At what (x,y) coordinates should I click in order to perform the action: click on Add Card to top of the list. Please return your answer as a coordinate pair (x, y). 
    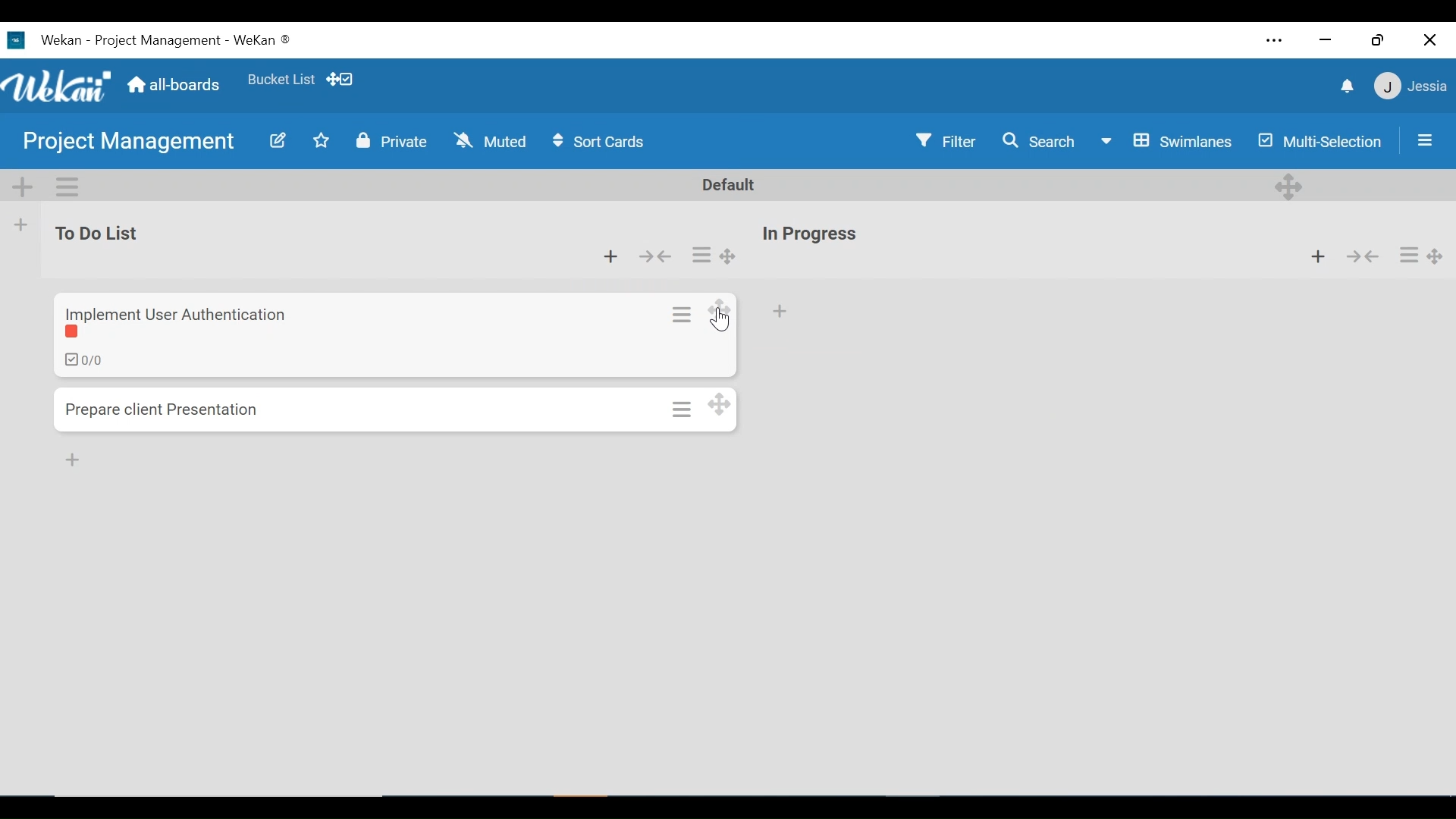
    Looking at the image, I should click on (611, 259).